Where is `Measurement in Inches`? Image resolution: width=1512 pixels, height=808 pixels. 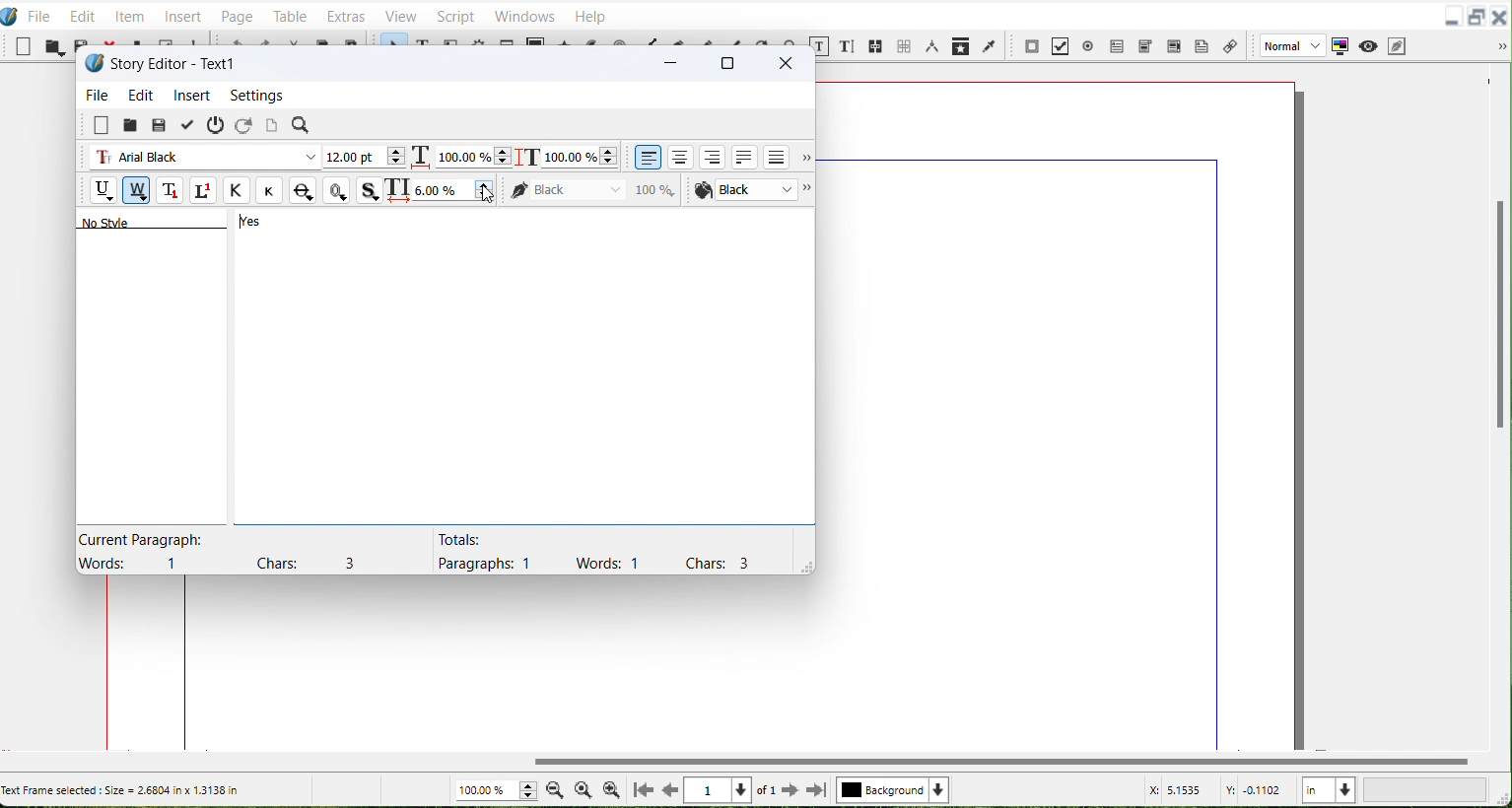
Measurement in Inches is located at coordinates (1329, 788).